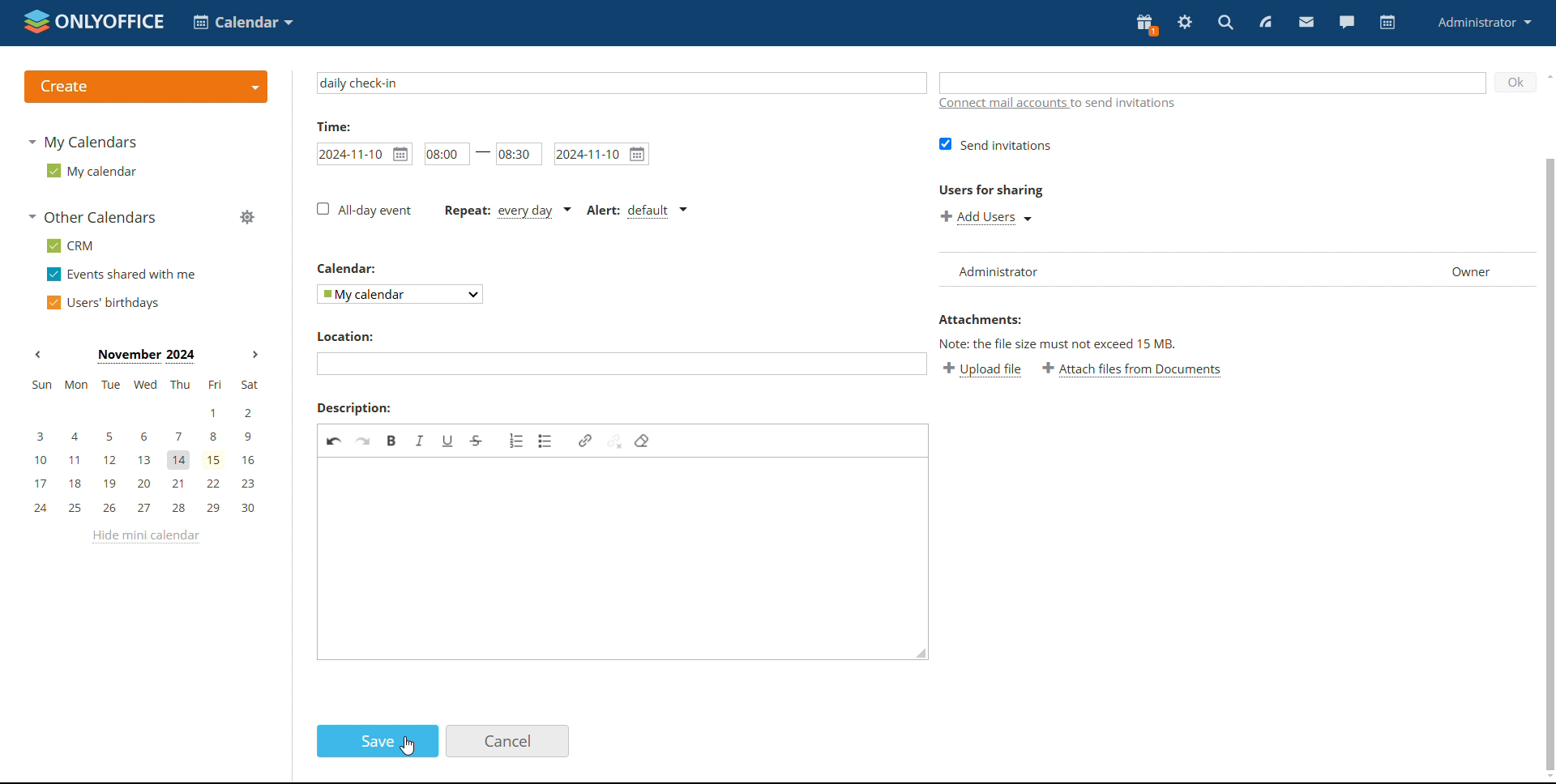  I want to click on my calendar, so click(89, 171).